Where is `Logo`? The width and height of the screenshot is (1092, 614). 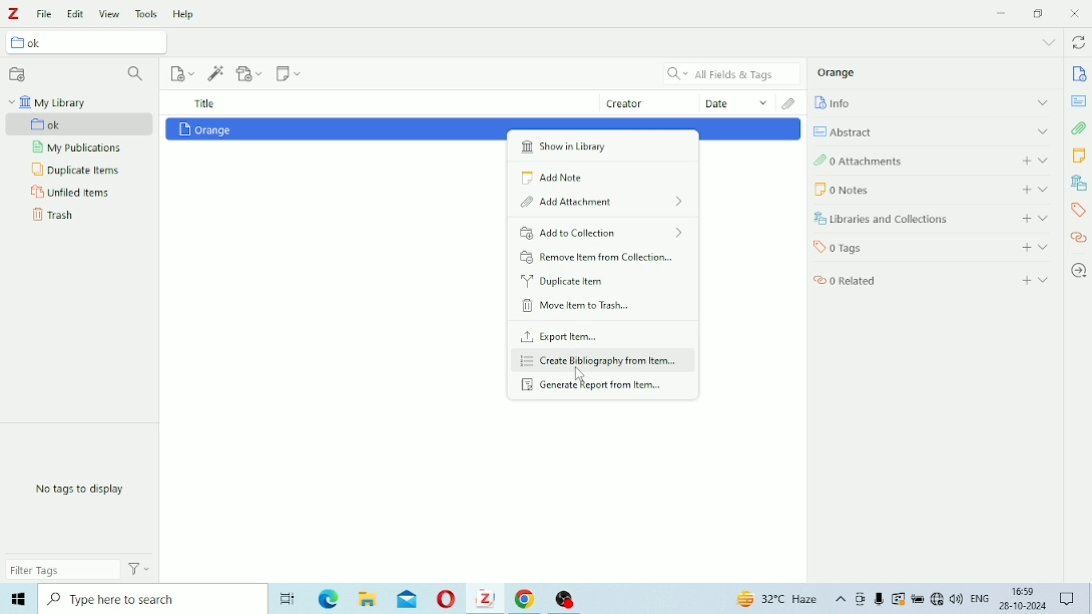 Logo is located at coordinates (14, 14).